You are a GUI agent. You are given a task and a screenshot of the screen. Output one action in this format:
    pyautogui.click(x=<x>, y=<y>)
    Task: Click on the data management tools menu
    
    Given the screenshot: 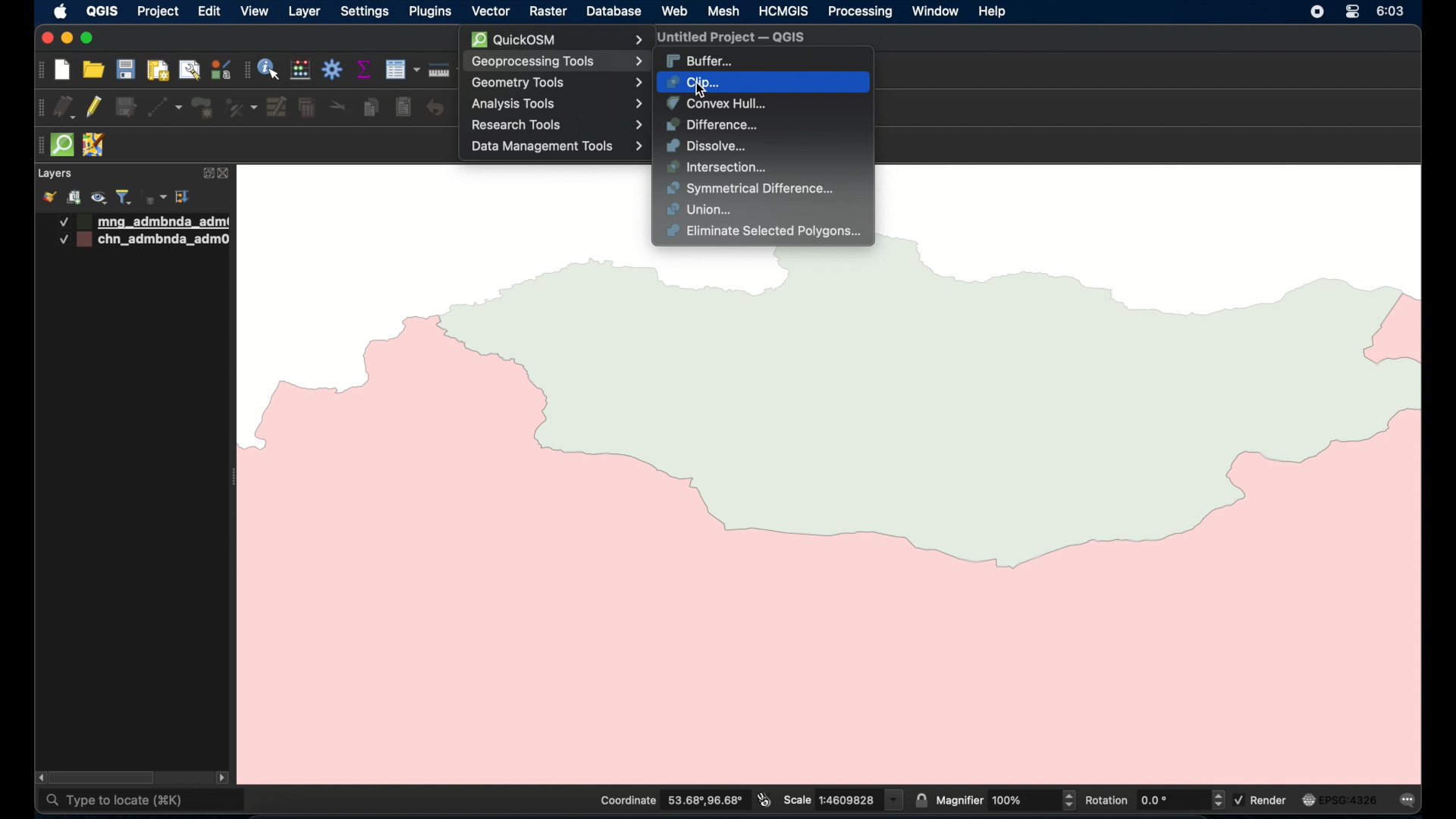 What is the action you would take?
    pyautogui.click(x=557, y=146)
    